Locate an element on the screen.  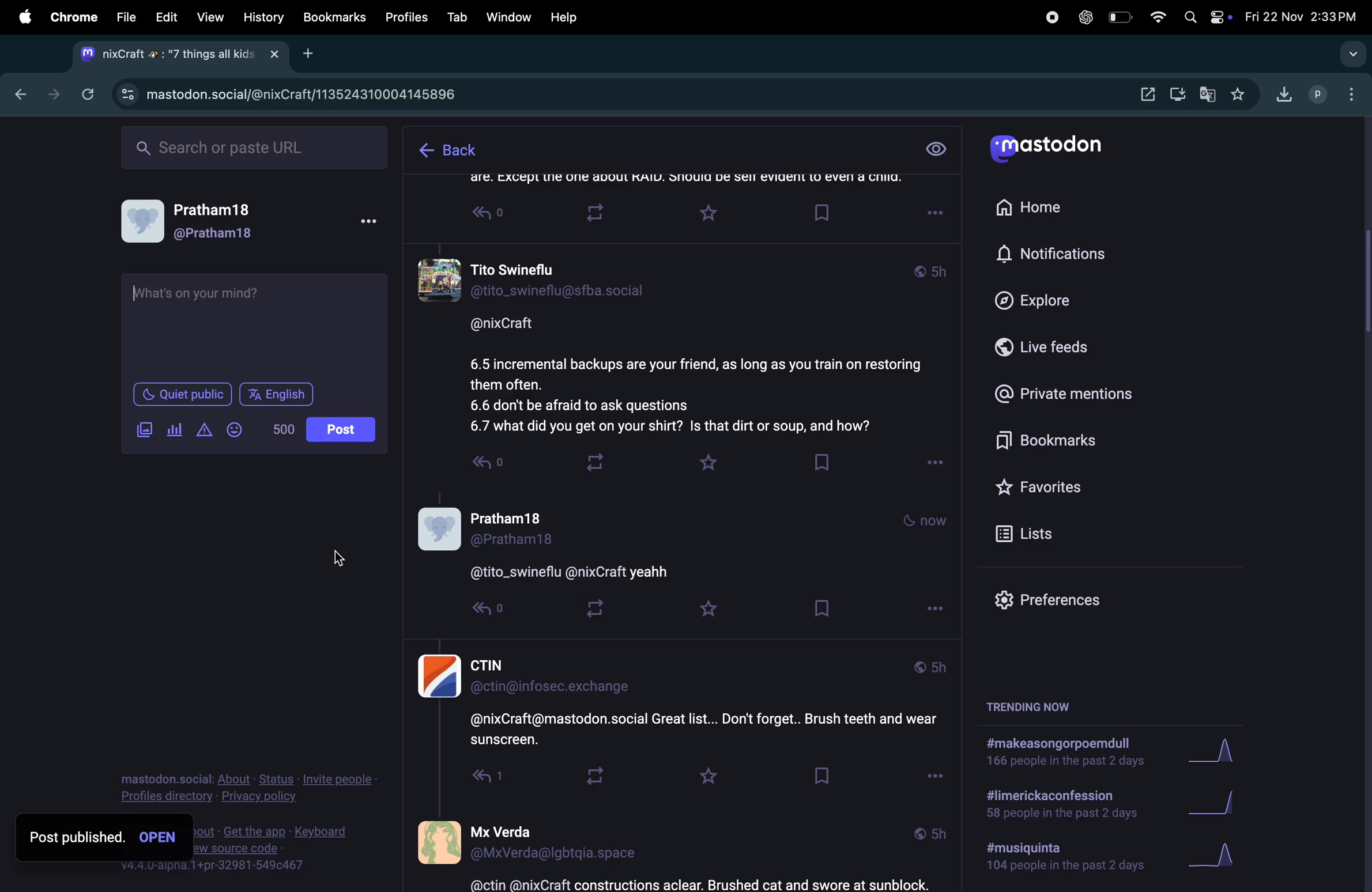
book marks is located at coordinates (1077, 443).